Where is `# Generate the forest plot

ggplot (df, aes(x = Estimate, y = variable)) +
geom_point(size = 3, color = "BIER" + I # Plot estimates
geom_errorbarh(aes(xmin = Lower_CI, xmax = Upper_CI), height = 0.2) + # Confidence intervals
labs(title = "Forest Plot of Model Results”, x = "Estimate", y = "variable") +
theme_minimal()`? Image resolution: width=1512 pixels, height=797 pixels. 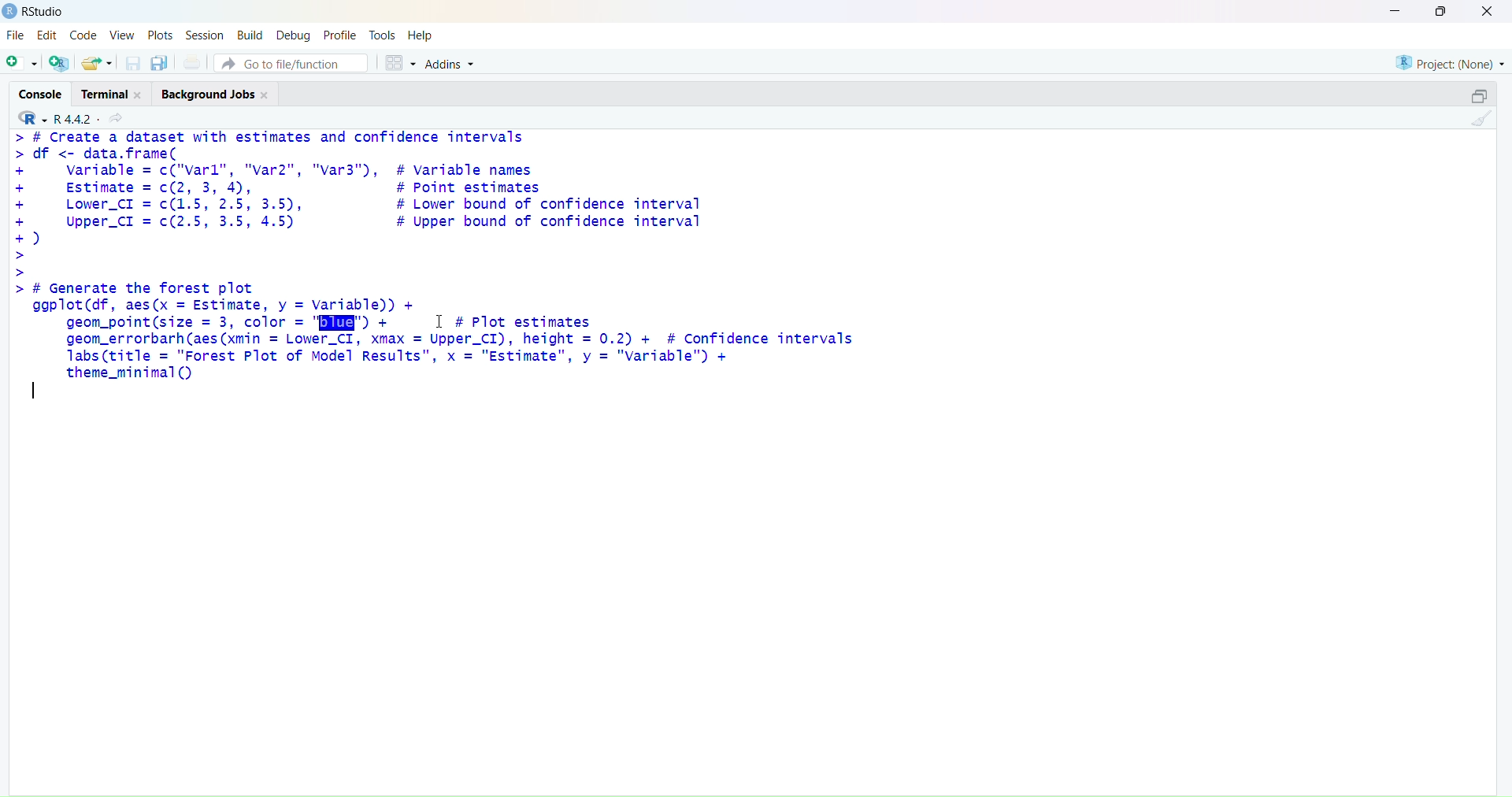
# Generate the forest plot

ggplot (df, aes(x = Estimate, y = variable)) +
geom_point(size = 3, color = "BIER" + I # Plot estimates
geom_errorbarh(aes(xmin = Lower_CI, xmax = Upper_CI), height = 0.2) + # Confidence intervals
labs(title = "Forest Plot of Model Results”, x = "Estimate", y = "variable") +
theme_minimal() is located at coordinates (442, 332).